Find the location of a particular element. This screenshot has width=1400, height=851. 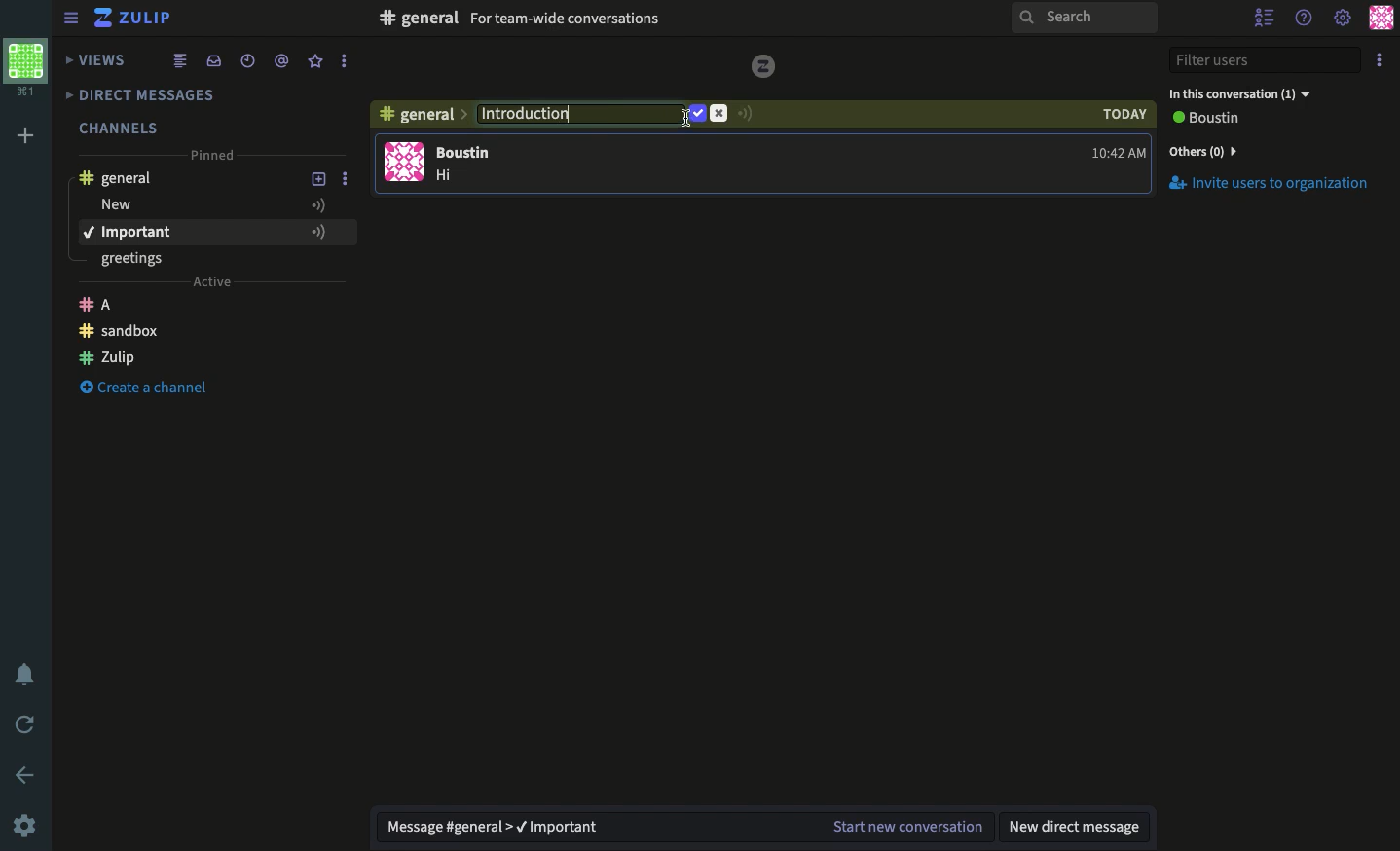

Confirm is located at coordinates (696, 113).